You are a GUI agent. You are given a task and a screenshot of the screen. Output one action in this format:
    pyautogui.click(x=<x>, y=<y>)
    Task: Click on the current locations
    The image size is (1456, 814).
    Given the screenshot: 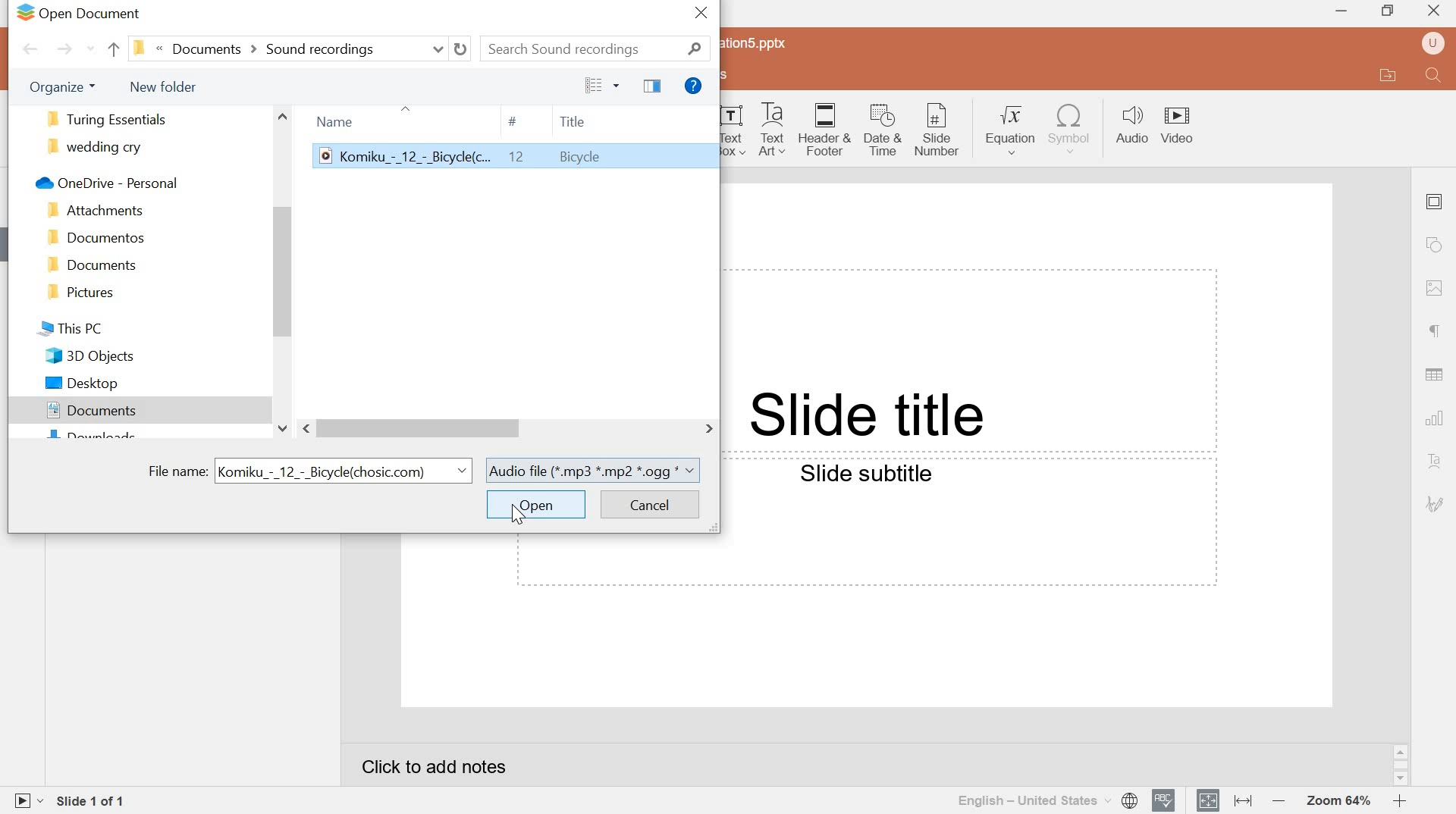 What is the action you would take?
    pyautogui.click(x=256, y=49)
    